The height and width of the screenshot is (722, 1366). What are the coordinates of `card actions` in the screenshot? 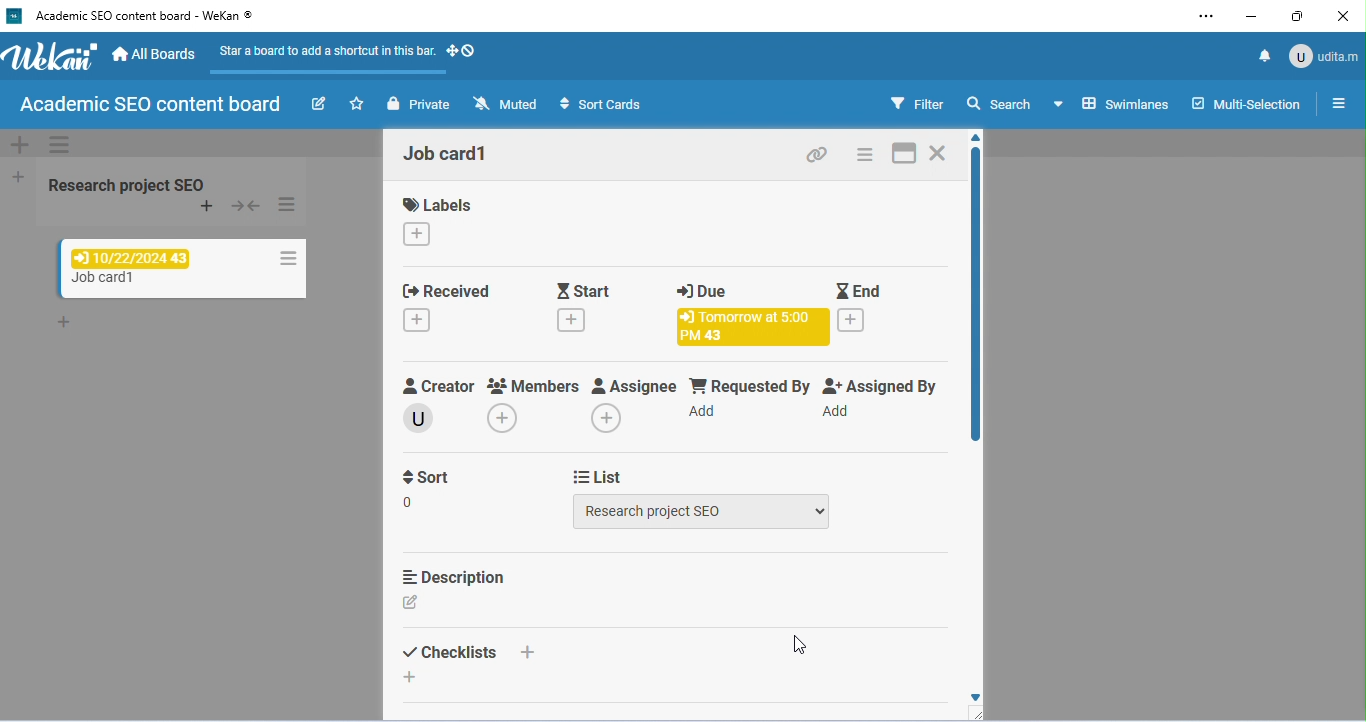 It's located at (286, 255).